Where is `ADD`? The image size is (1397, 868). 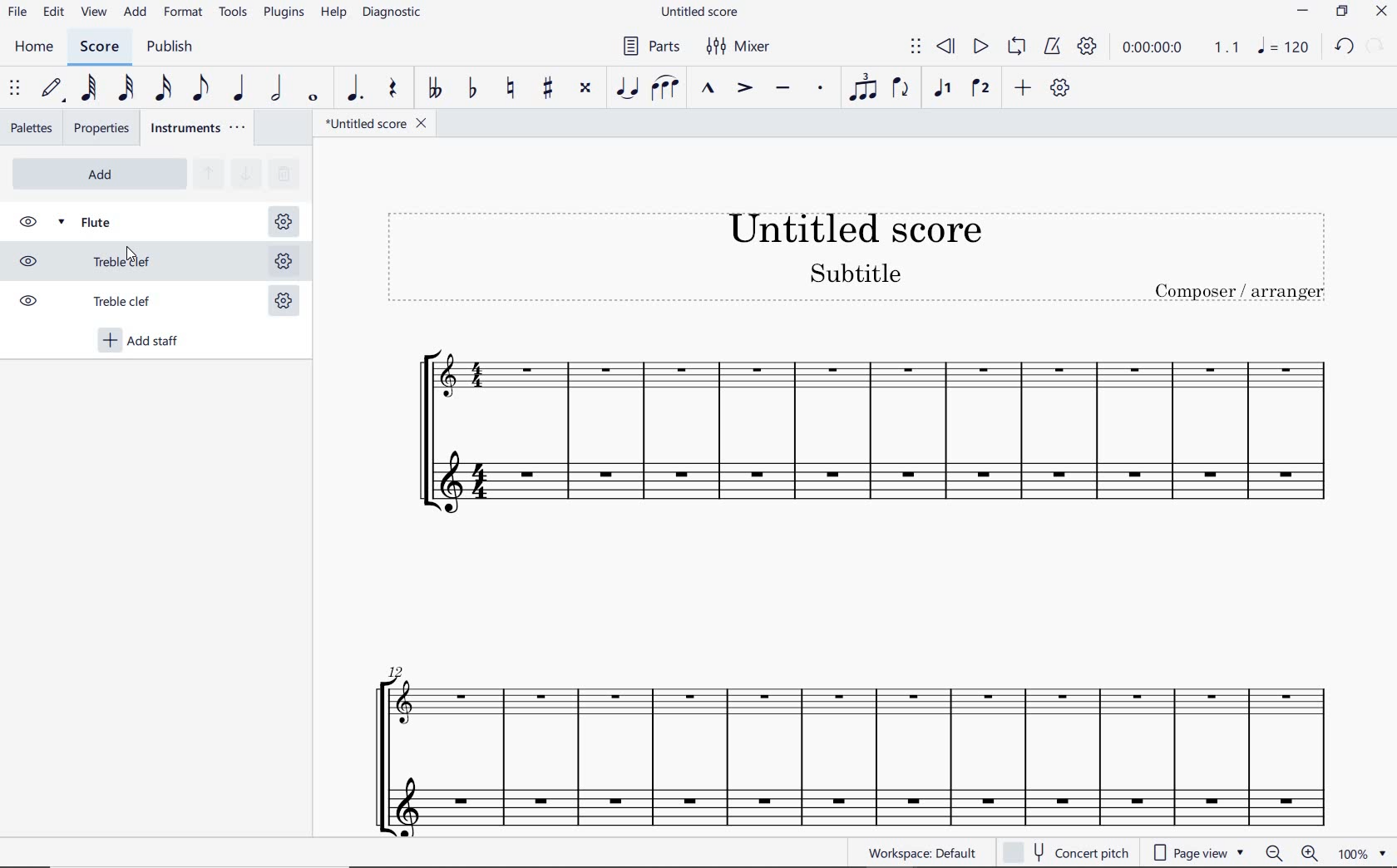 ADD is located at coordinates (1024, 88).